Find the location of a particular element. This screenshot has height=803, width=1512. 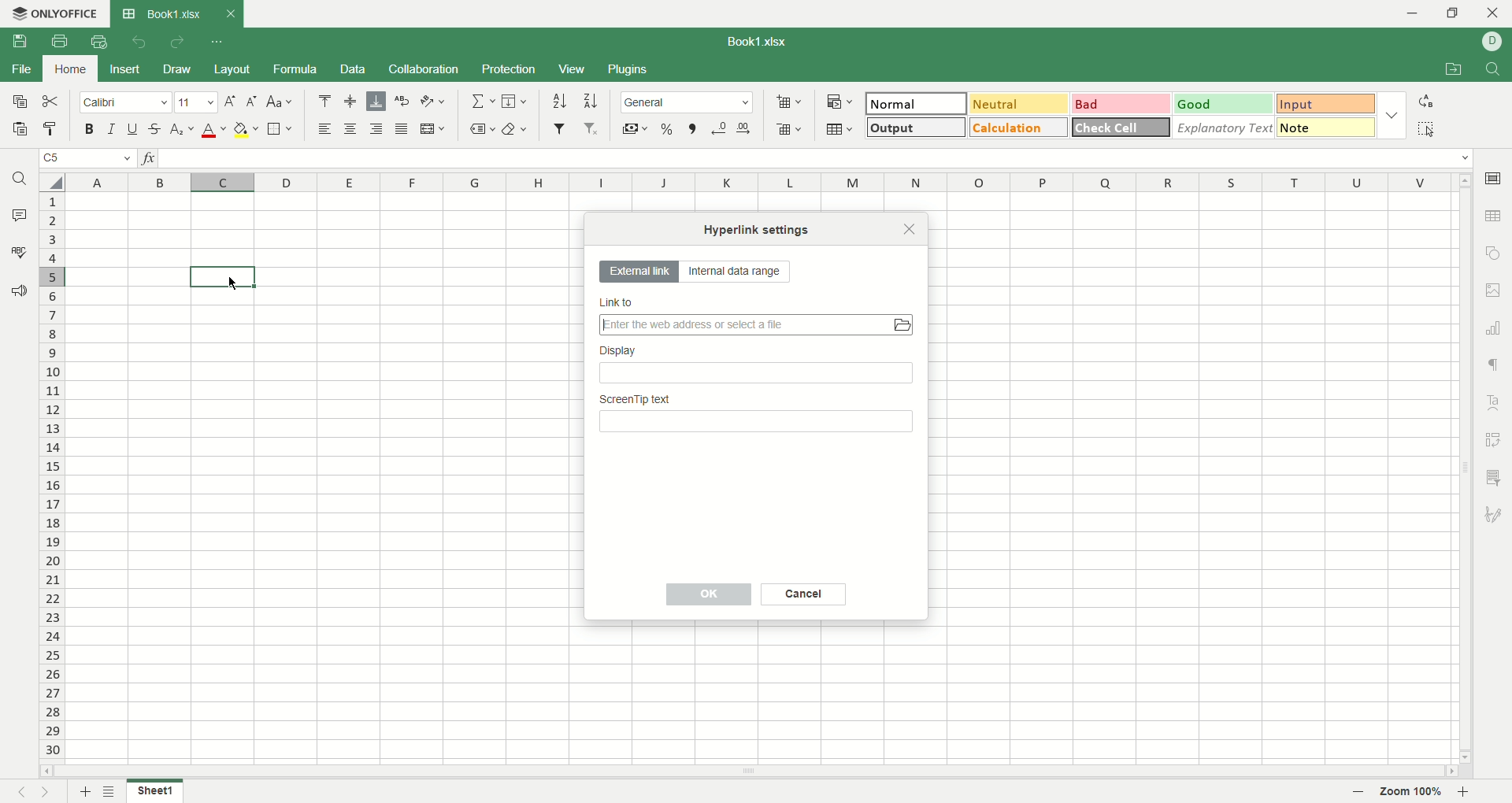

format as table template is located at coordinates (839, 129).